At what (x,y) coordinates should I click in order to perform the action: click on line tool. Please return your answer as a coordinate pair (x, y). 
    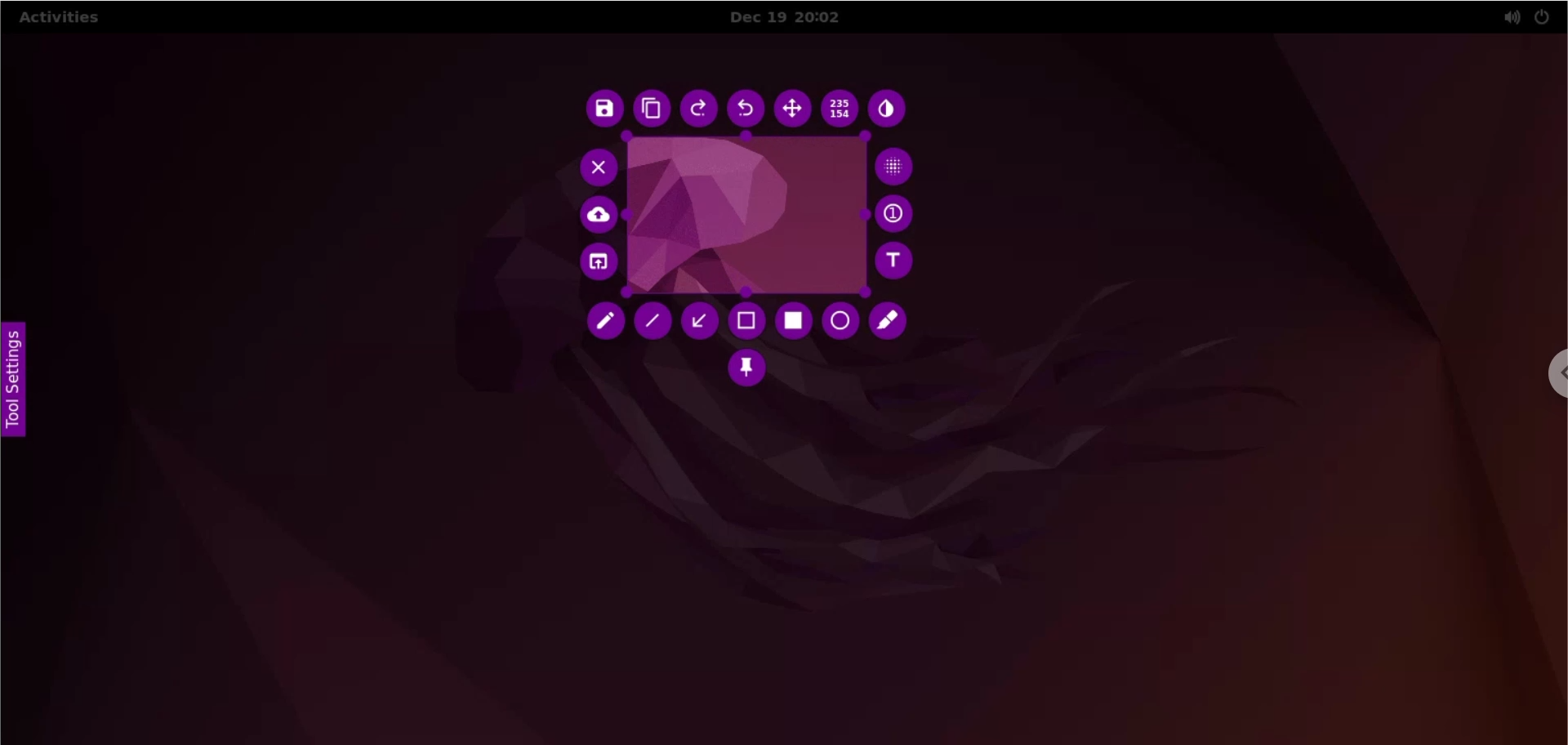
    Looking at the image, I should click on (653, 323).